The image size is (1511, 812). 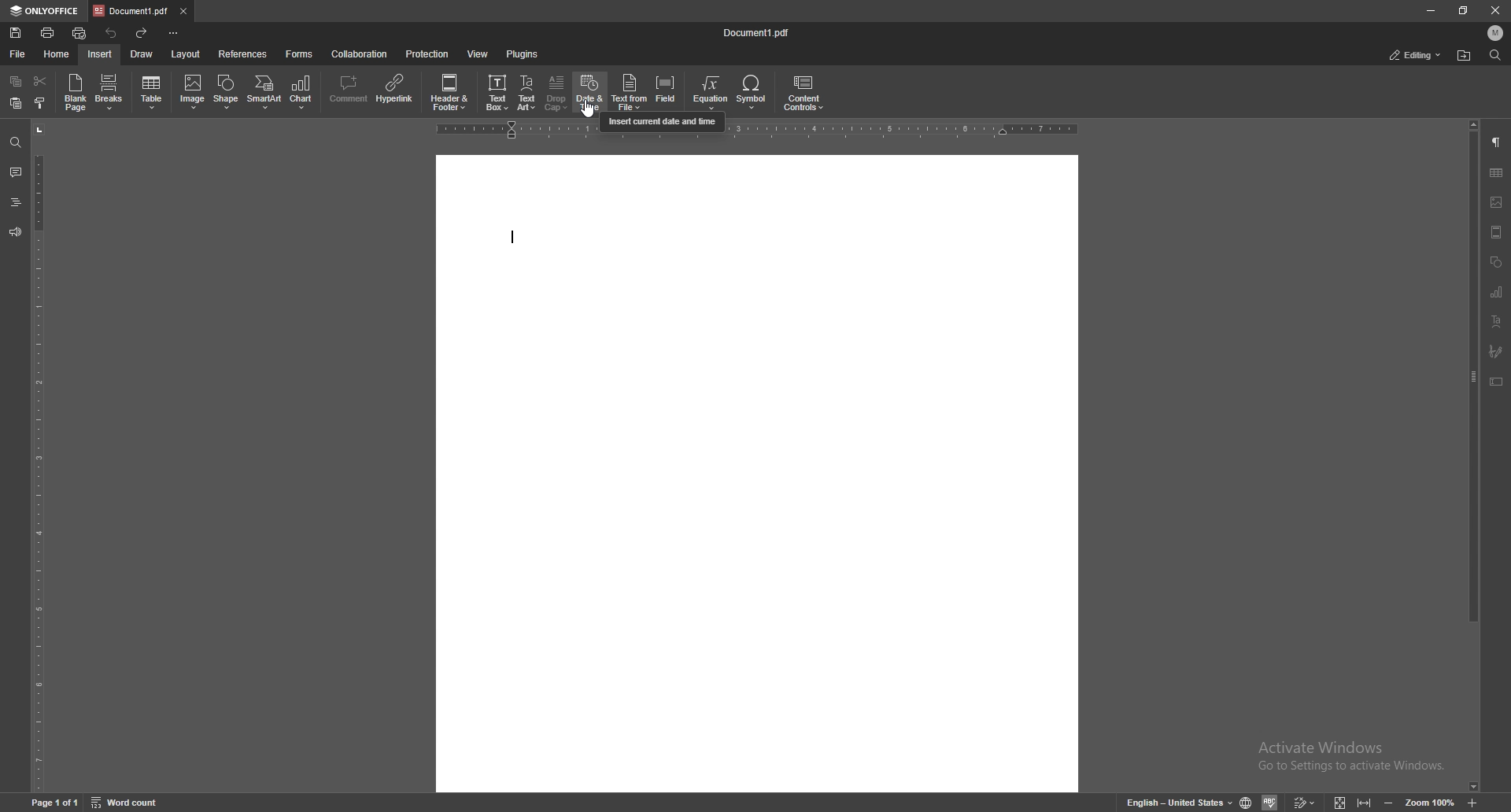 What do you see at coordinates (1303, 801) in the screenshot?
I see `track changes` at bounding box center [1303, 801].